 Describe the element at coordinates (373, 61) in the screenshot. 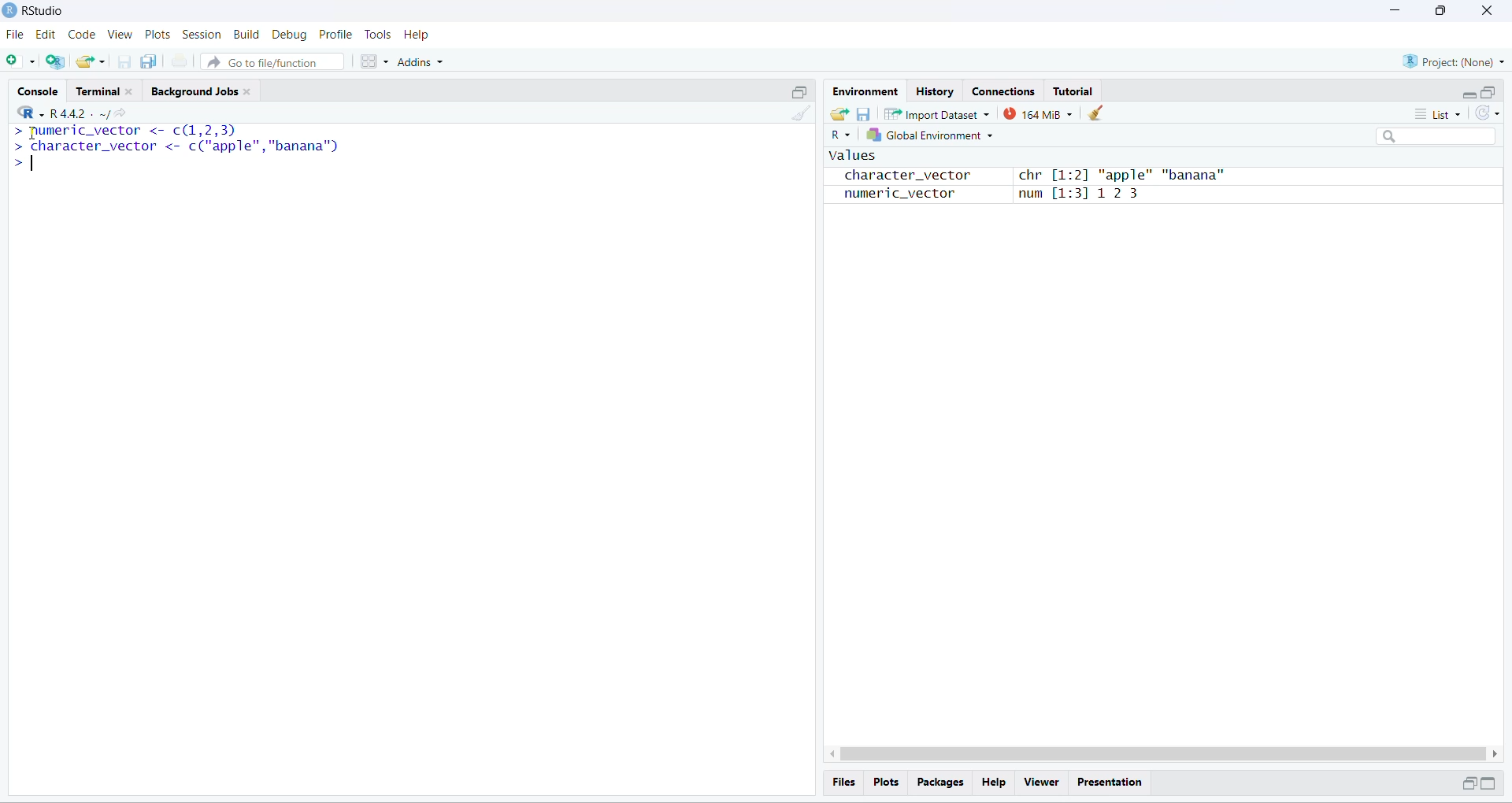

I see `workspace panes` at that location.